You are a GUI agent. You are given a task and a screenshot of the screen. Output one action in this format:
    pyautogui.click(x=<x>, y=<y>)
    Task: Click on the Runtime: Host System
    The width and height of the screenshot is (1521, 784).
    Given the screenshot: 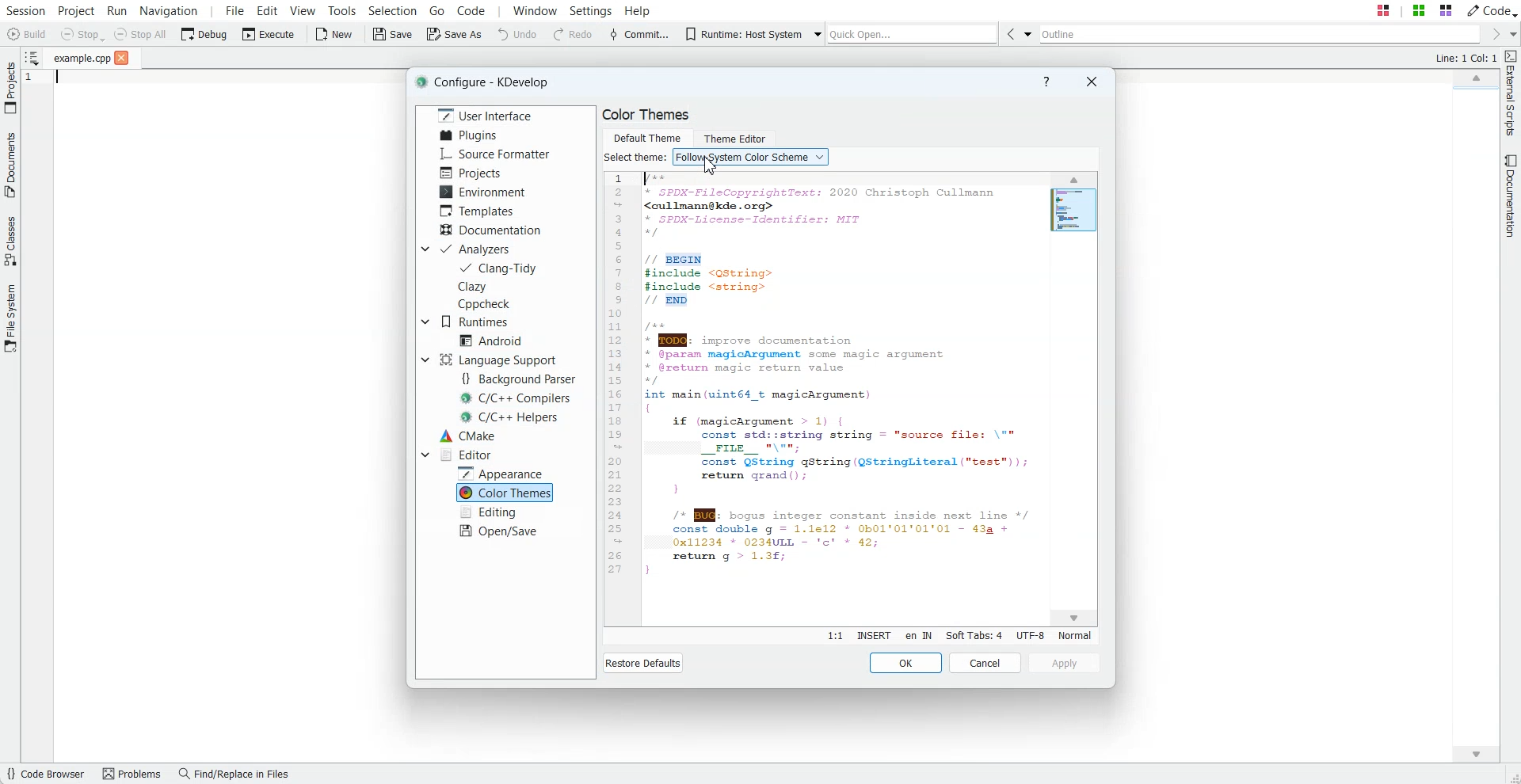 What is the action you would take?
    pyautogui.click(x=739, y=34)
    